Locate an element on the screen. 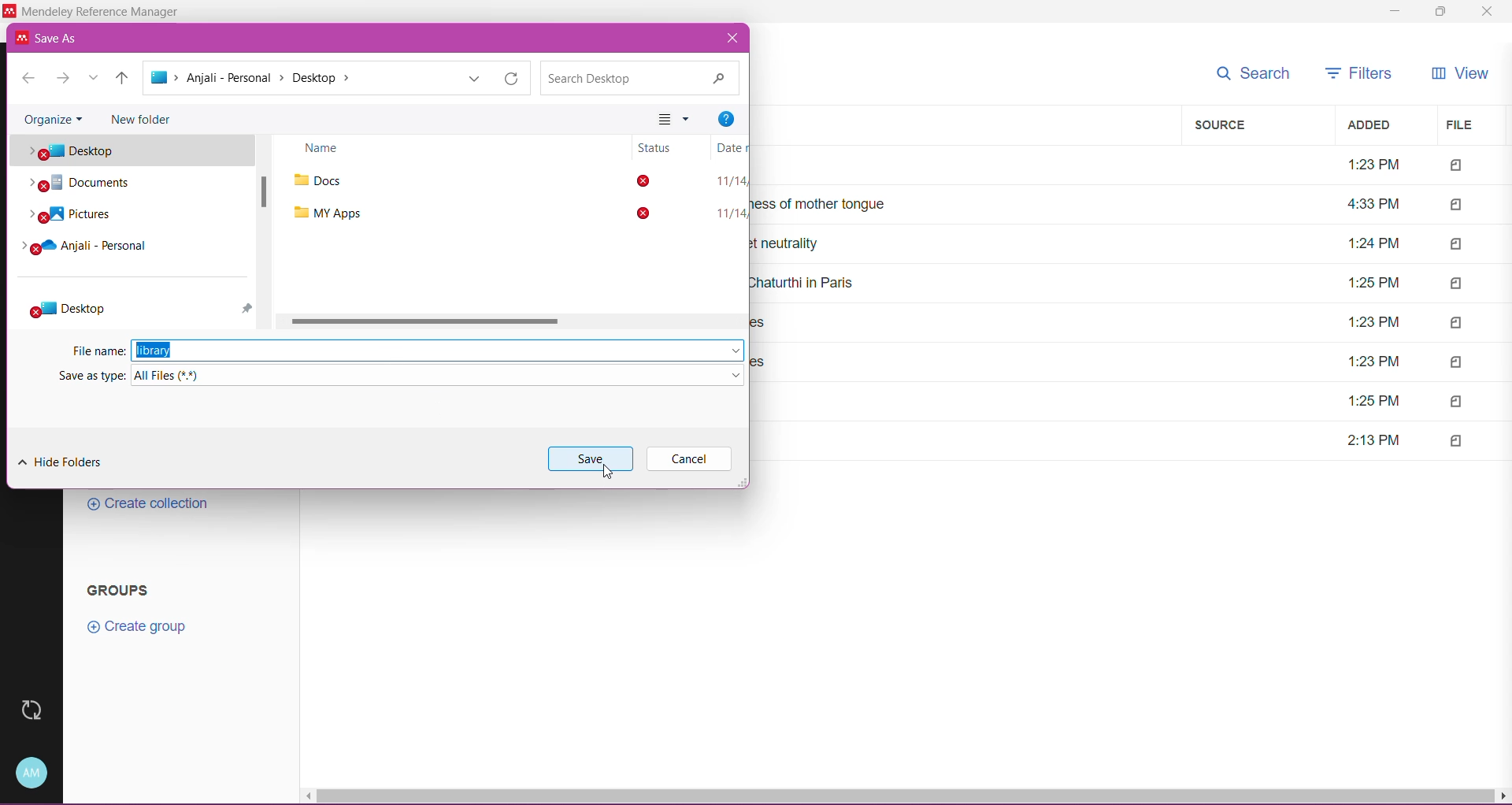 Image resolution: width=1512 pixels, height=805 pixels. Source is located at coordinates (1260, 125).